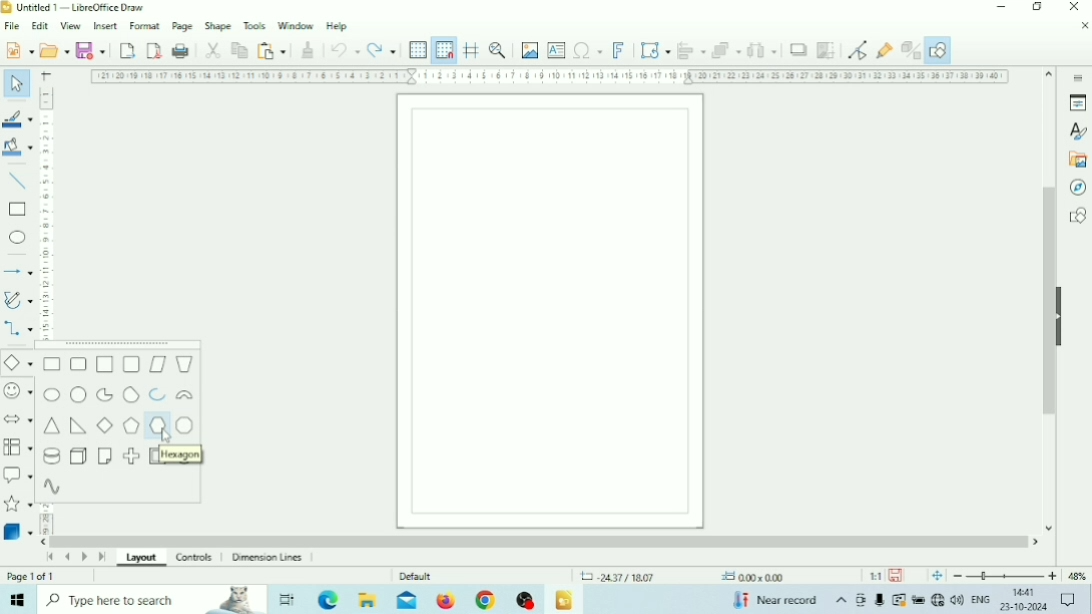 The width and height of the screenshot is (1092, 614). I want to click on Paste, so click(271, 50).